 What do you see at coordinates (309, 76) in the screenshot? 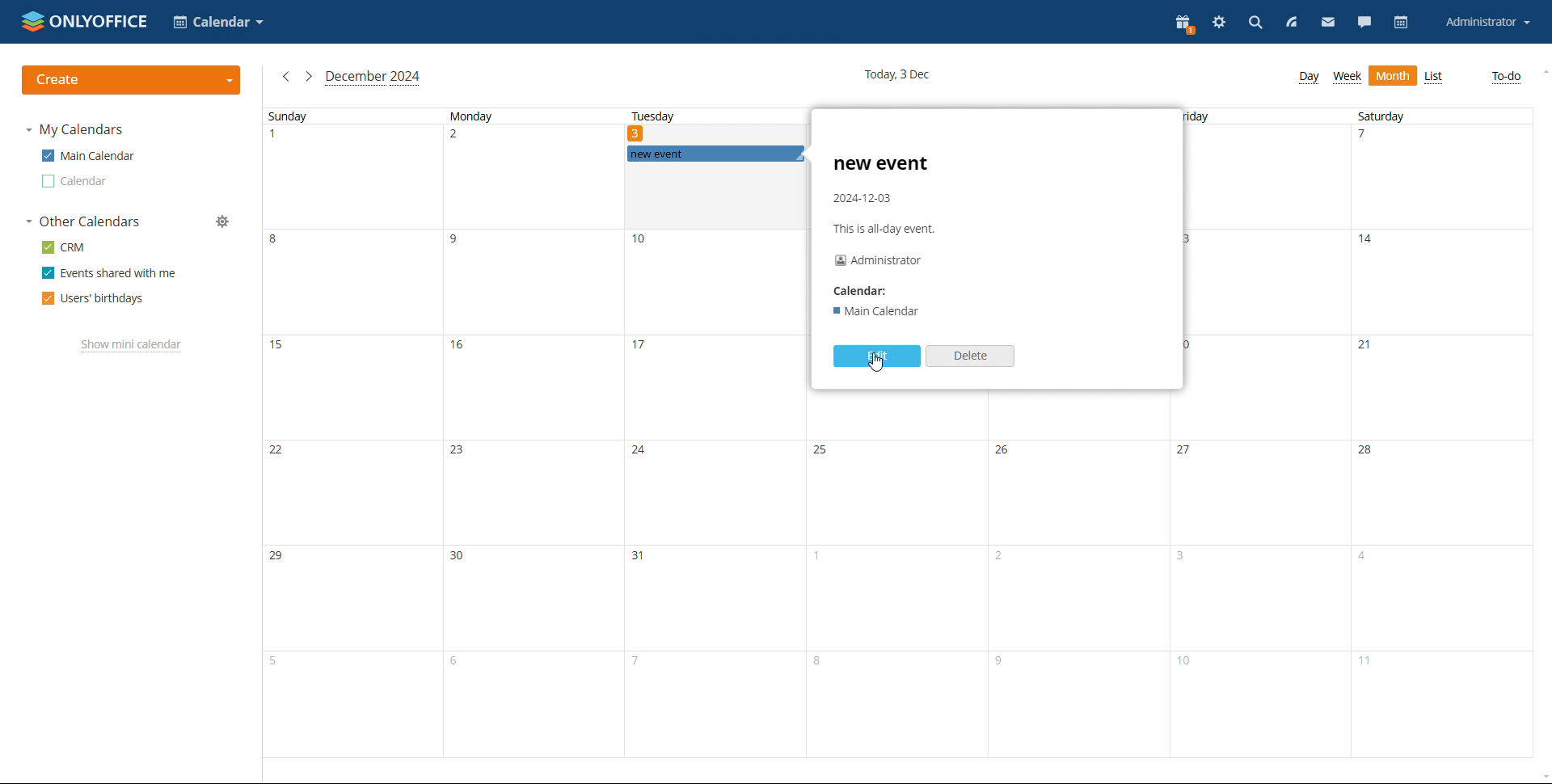
I see `next month` at bounding box center [309, 76].